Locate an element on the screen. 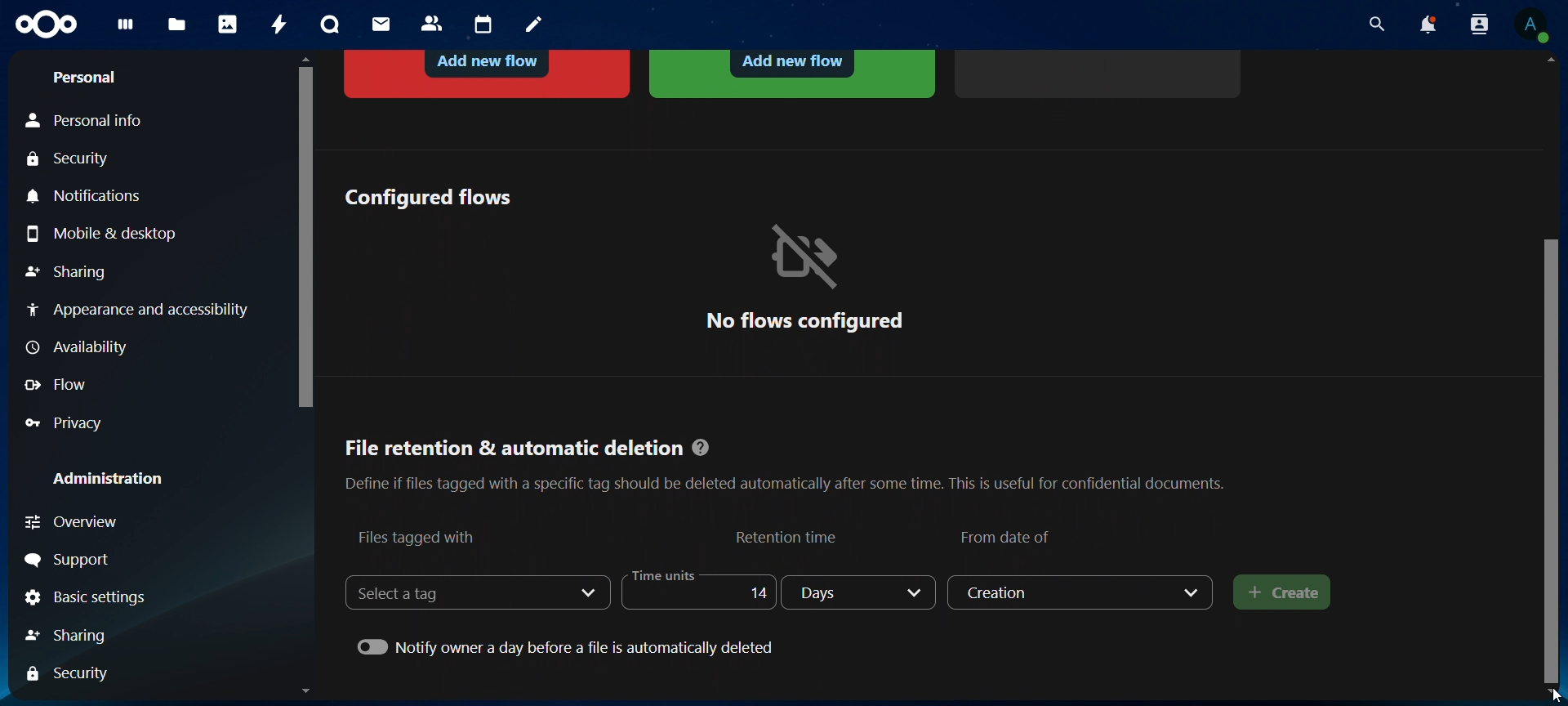 This screenshot has width=1568, height=706. availabilty is located at coordinates (81, 349).